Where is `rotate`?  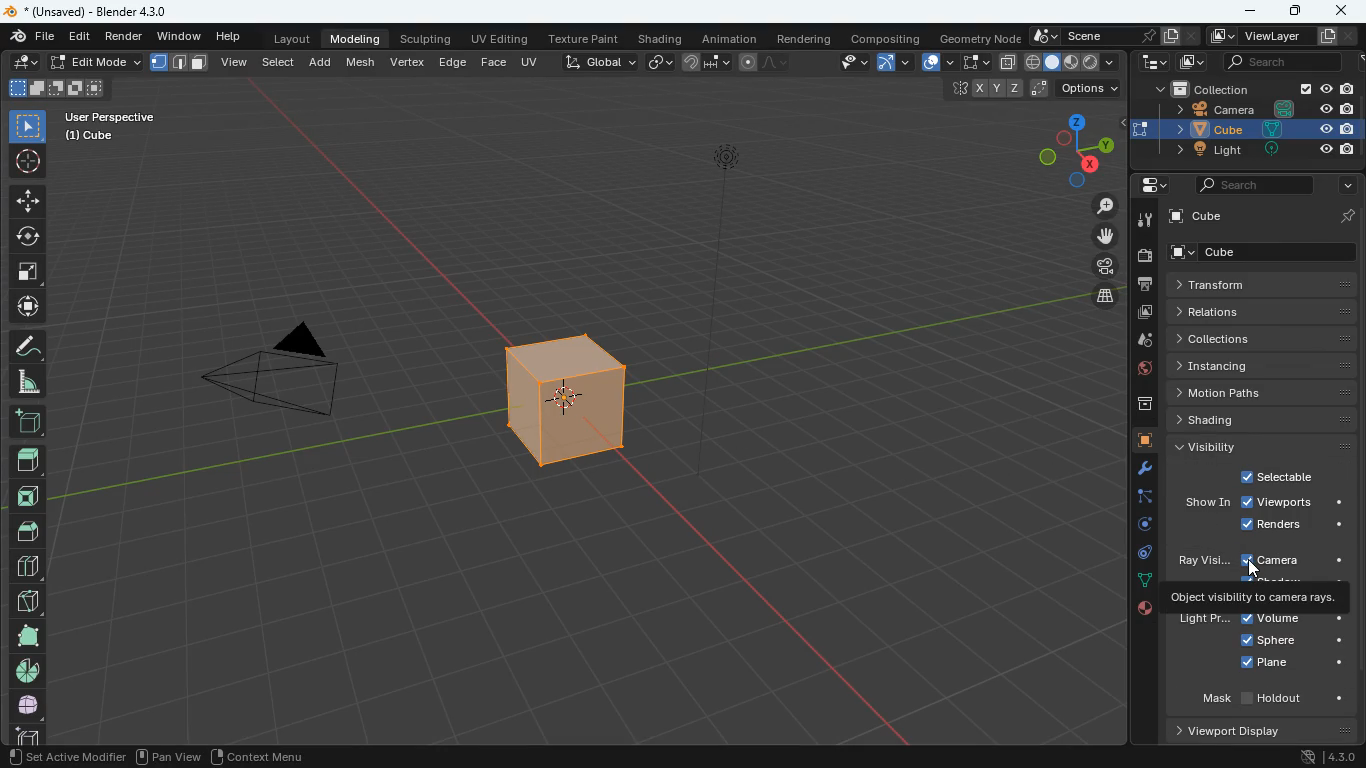
rotate is located at coordinates (28, 238).